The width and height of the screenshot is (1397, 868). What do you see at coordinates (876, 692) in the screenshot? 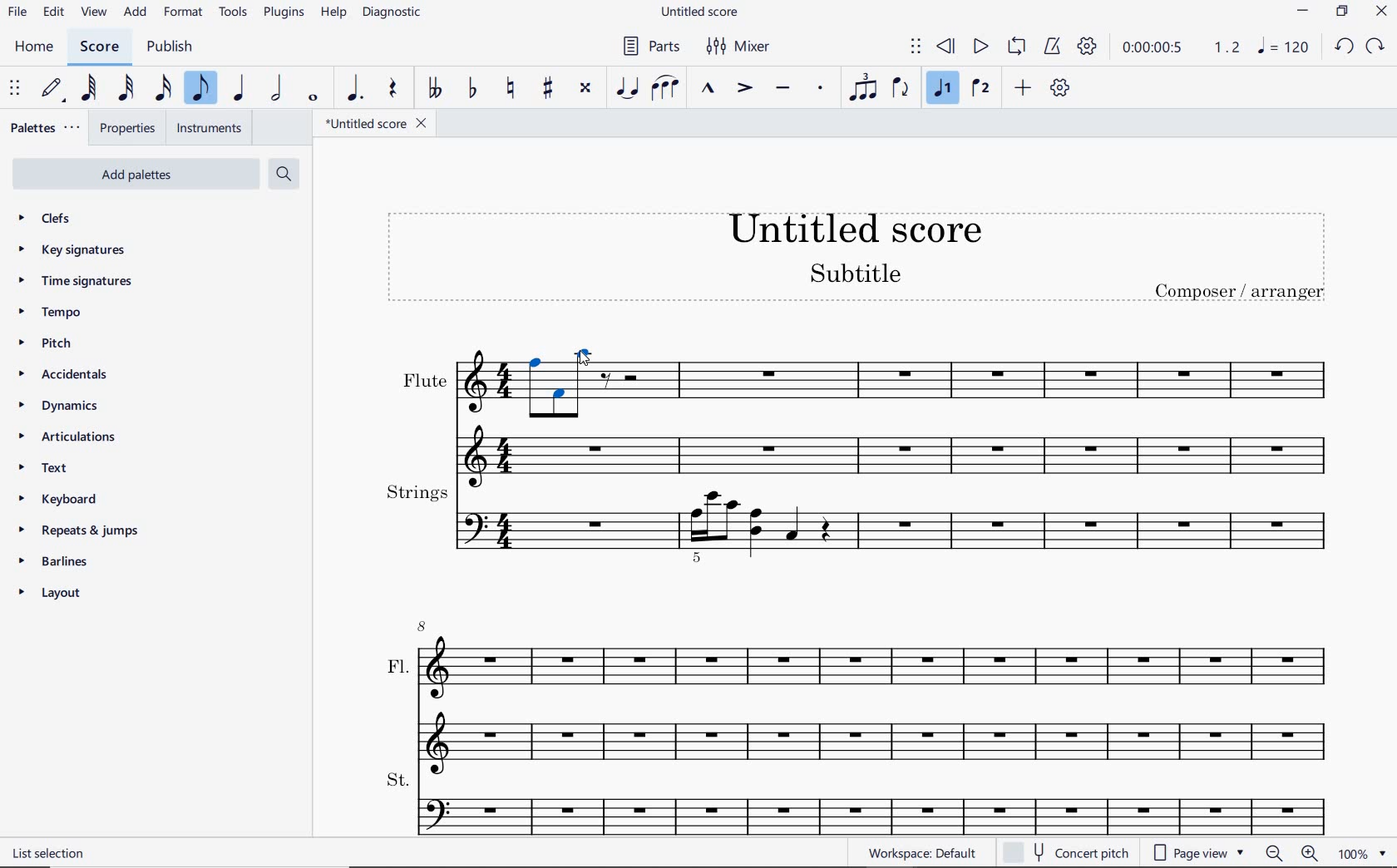
I see `fl.` at bounding box center [876, 692].